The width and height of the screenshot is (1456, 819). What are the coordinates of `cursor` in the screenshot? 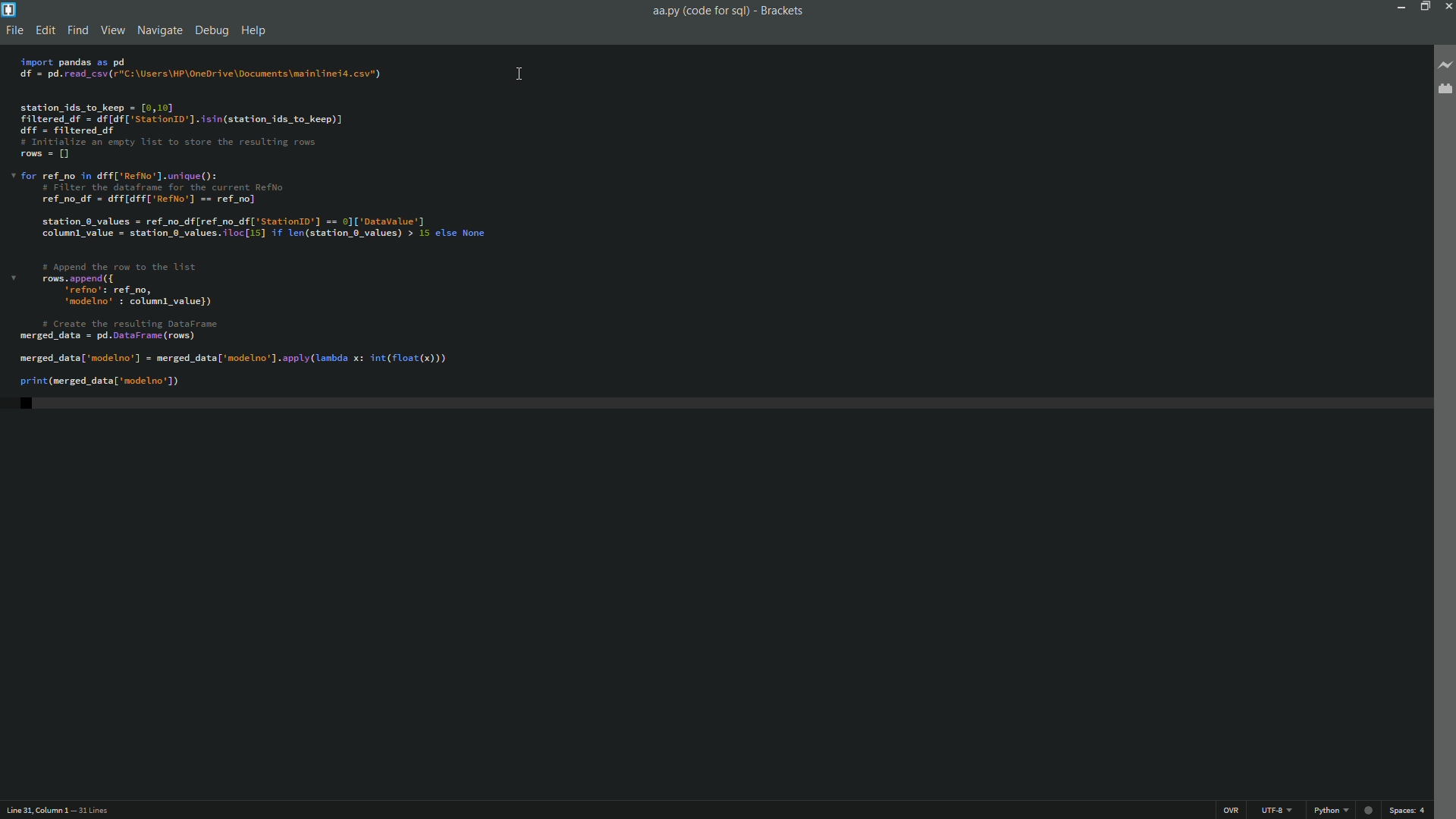 It's located at (520, 74).